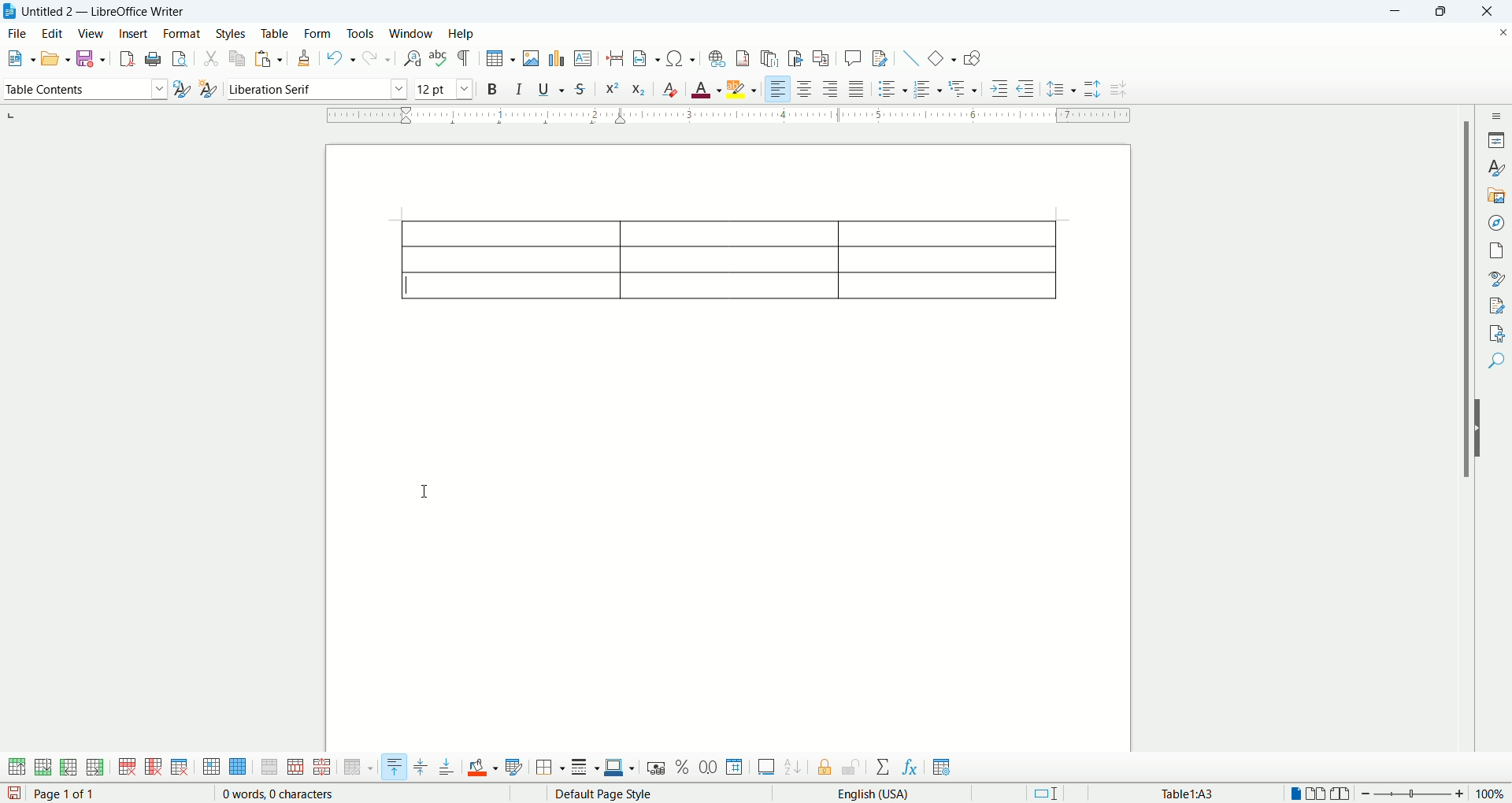  I want to click on insert comment, so click(853, 61).